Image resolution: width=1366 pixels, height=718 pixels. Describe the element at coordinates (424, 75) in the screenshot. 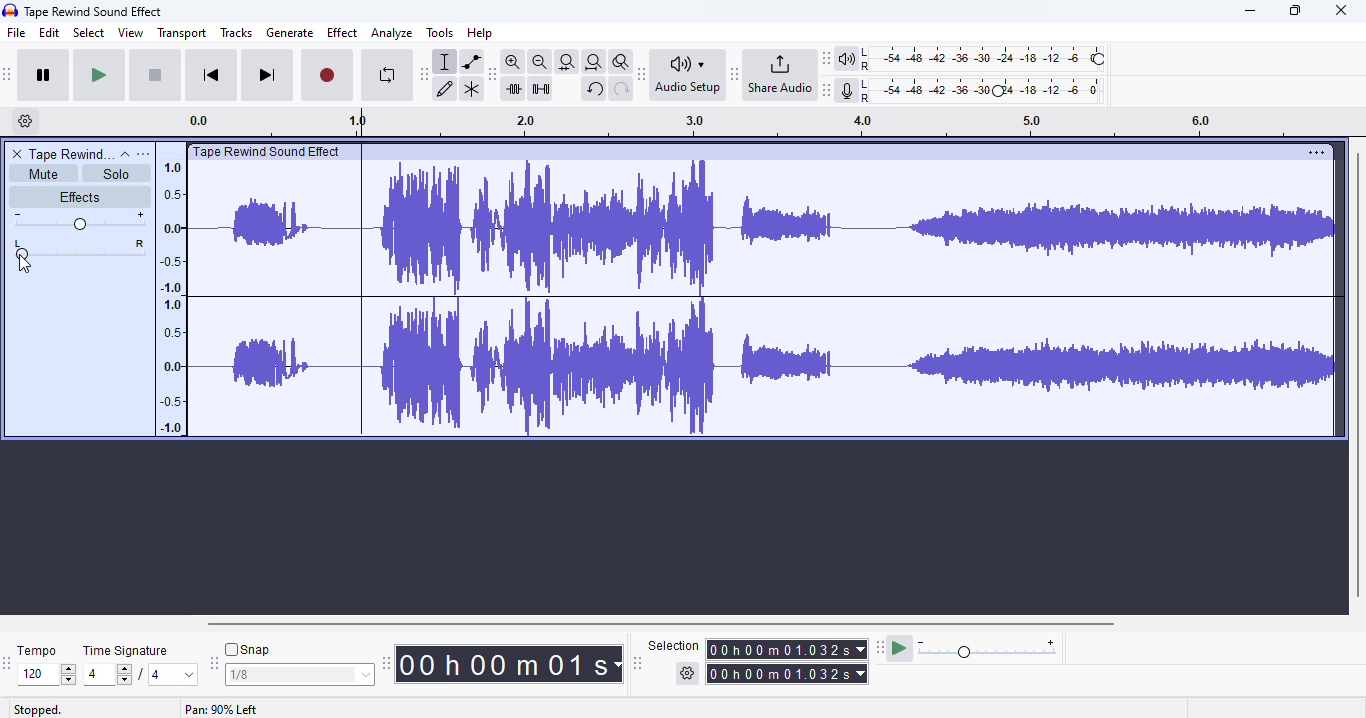

I see `audacity tools toolbar` at that location.